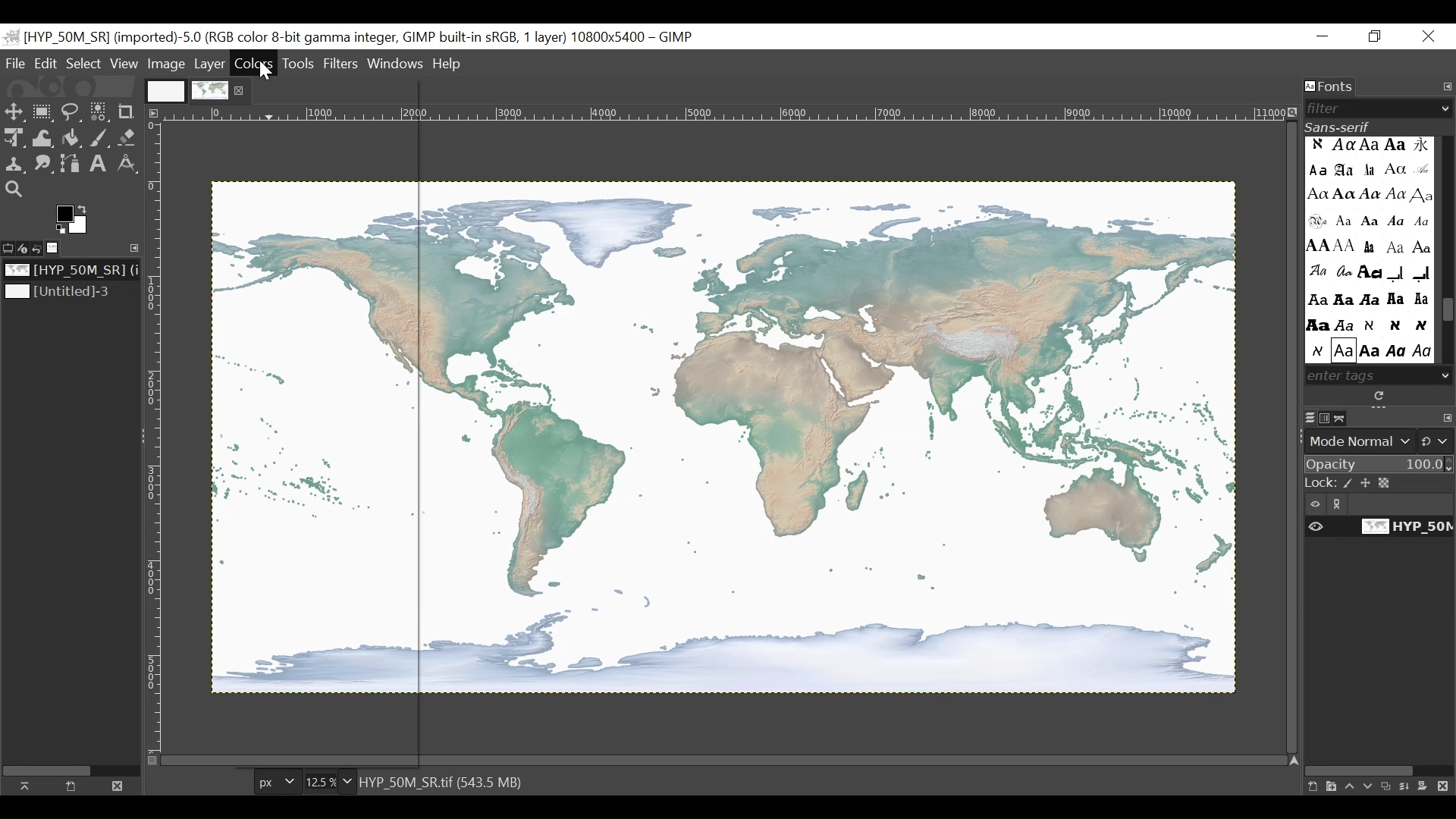 The image size is (1456, 819). I want to click on Fonts, so click(1331, 87).